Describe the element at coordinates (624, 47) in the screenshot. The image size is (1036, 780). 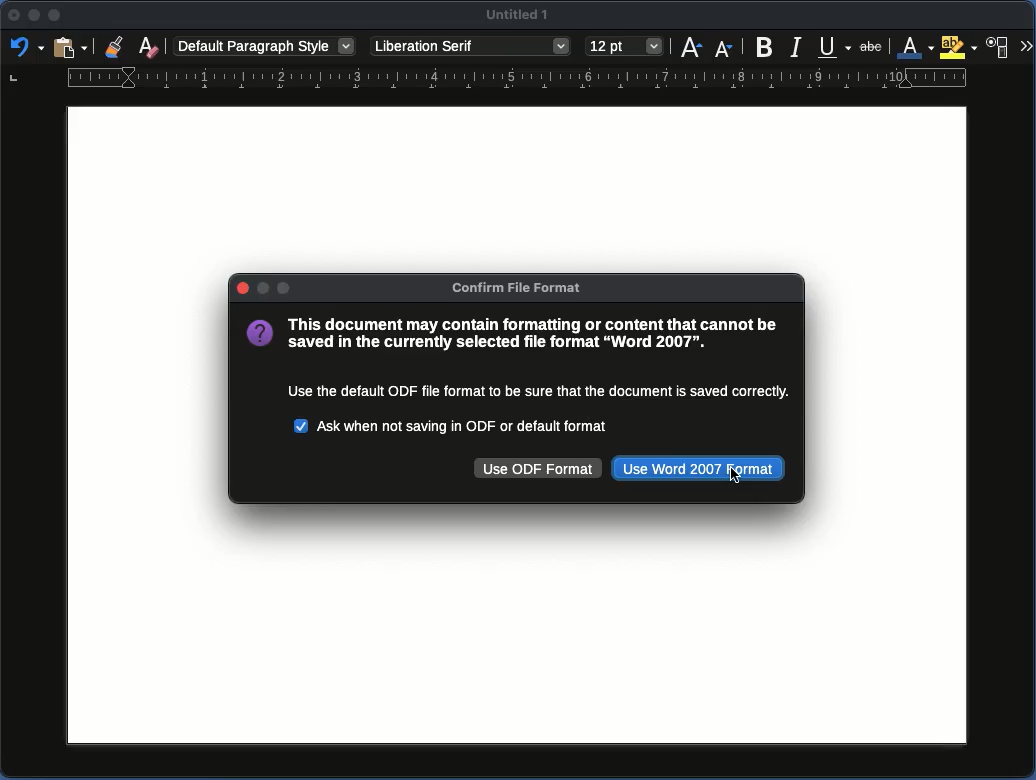
I see `Size` at that location.